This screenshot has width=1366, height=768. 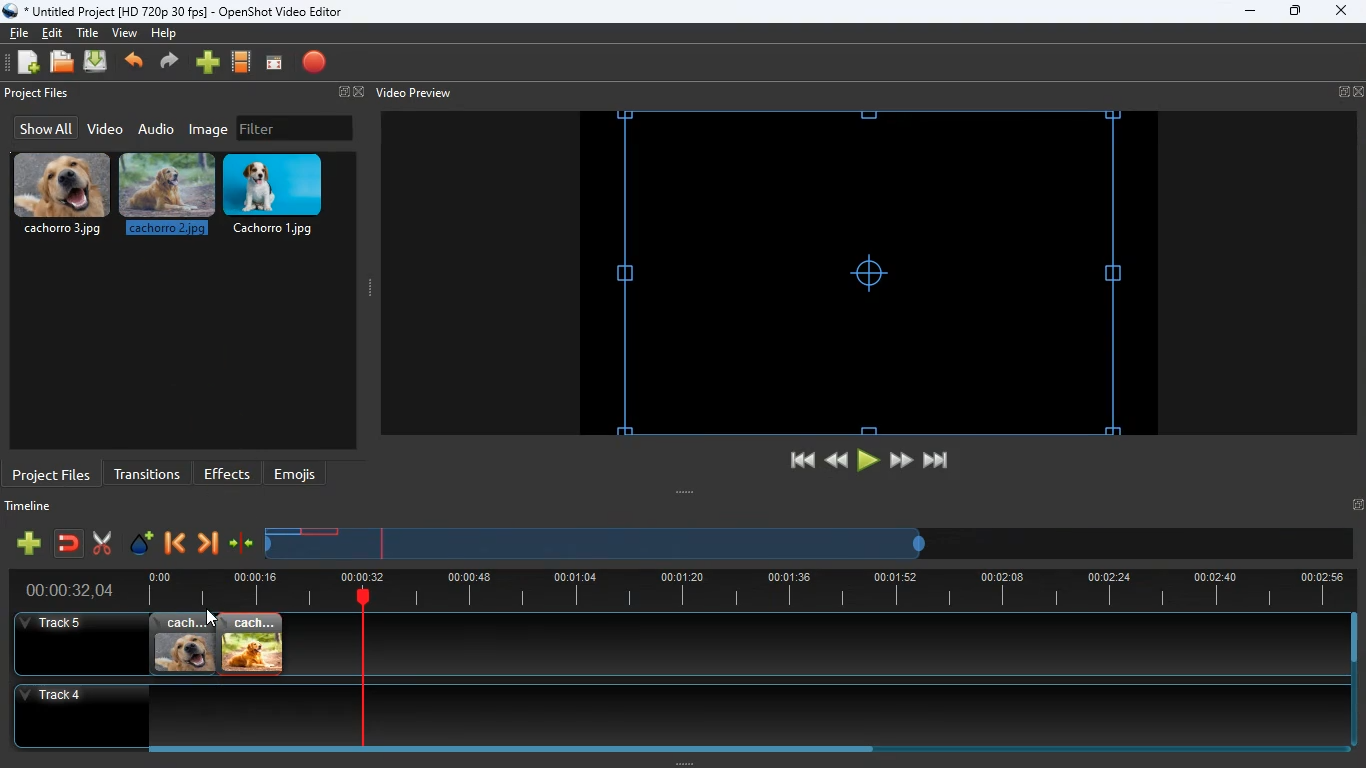 What do you see at coordinates (163, 36) in the screenshot?
I see `help` at bounding box center [163, 36].